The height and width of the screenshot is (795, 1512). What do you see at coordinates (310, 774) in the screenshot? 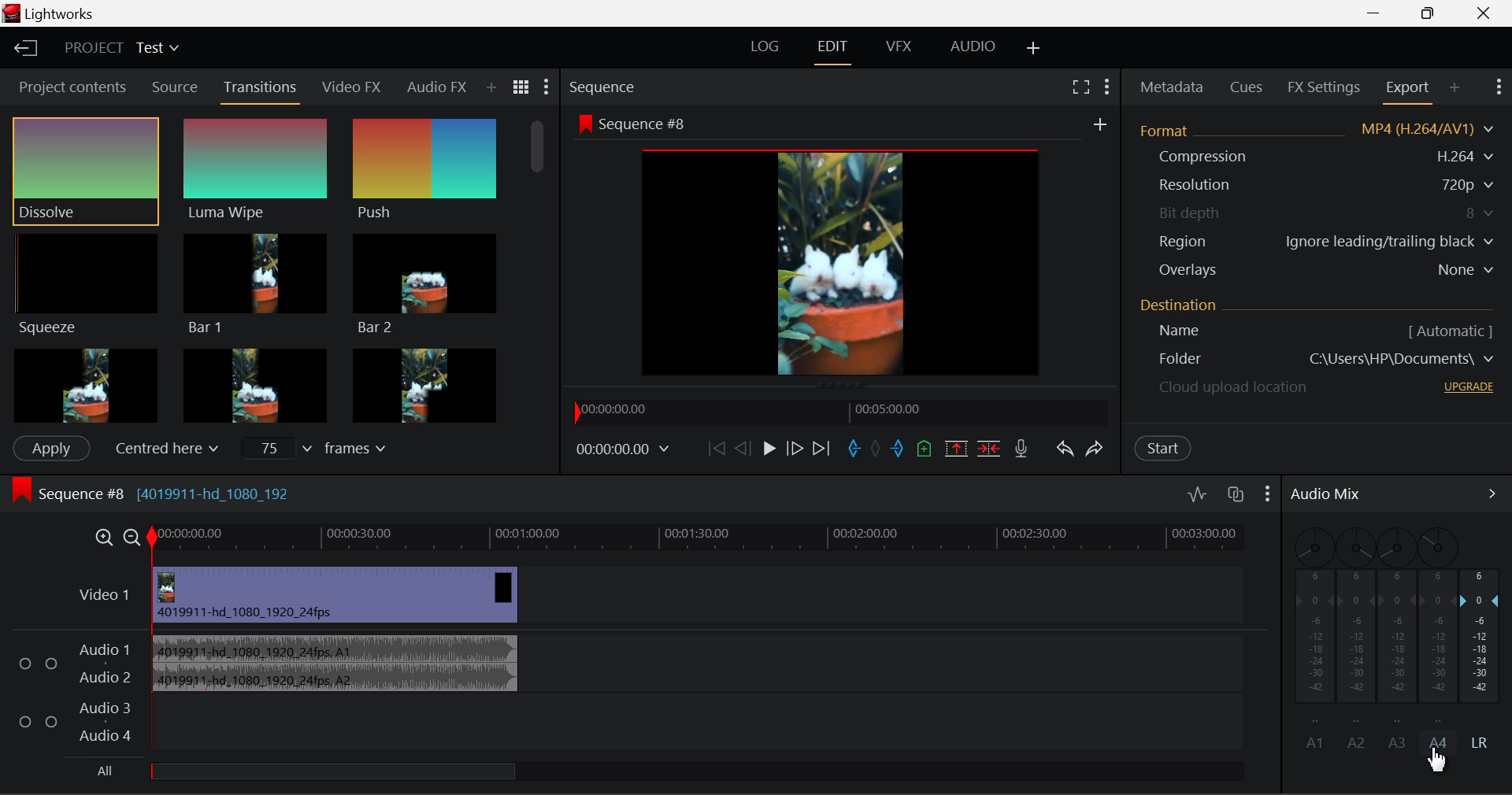
I see `` at bounding box center [310, 774].